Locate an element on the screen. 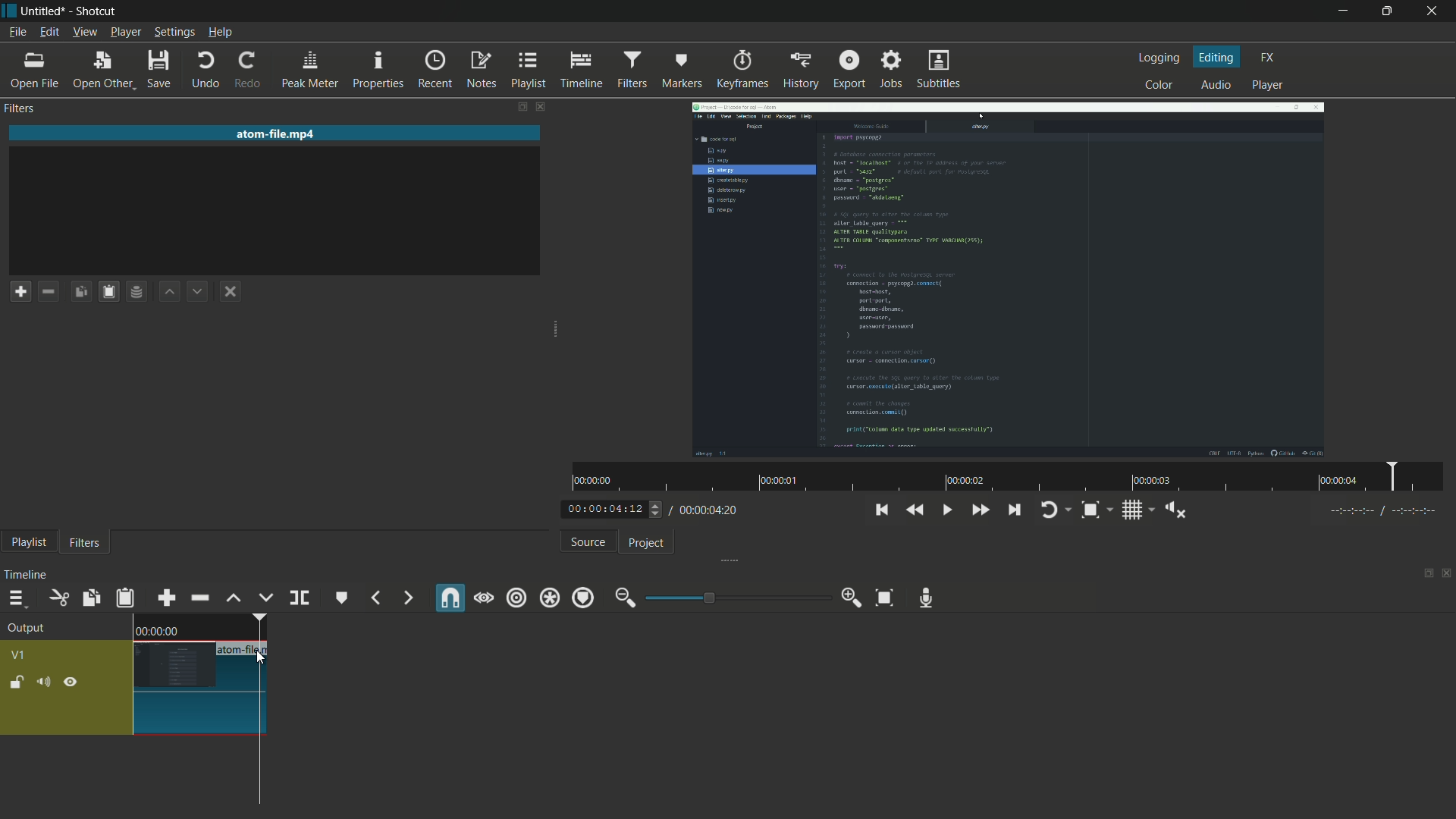  paste is located at coordinates (124, 598).